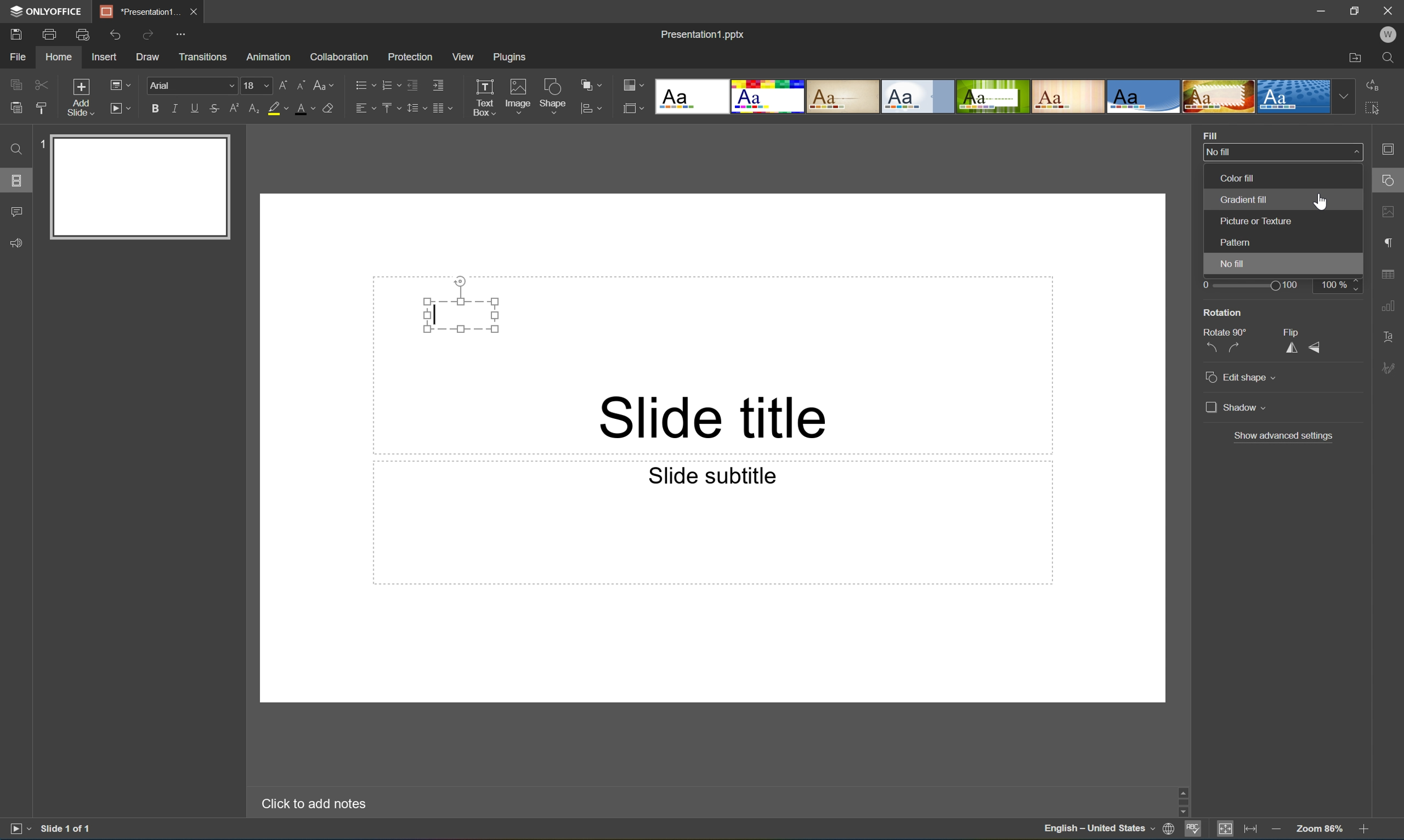 The width and height of the screenshot is (1404, 840). What do you see at coordinates (633, 110) in the screenshot?
I see `Select slide size` at bounding box center [633, 110].